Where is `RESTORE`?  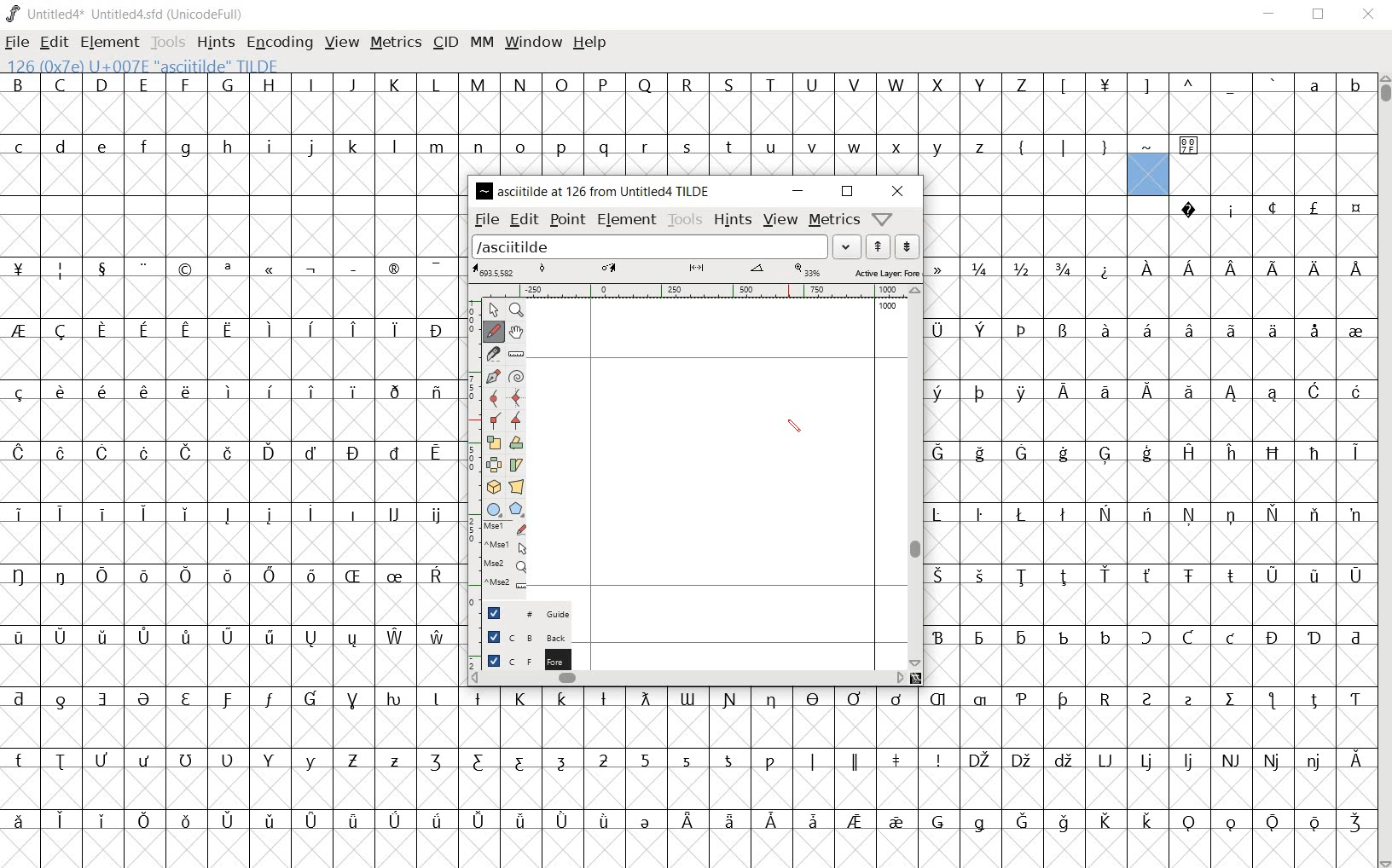
RESTORE is located at coordinates (1322, 15).